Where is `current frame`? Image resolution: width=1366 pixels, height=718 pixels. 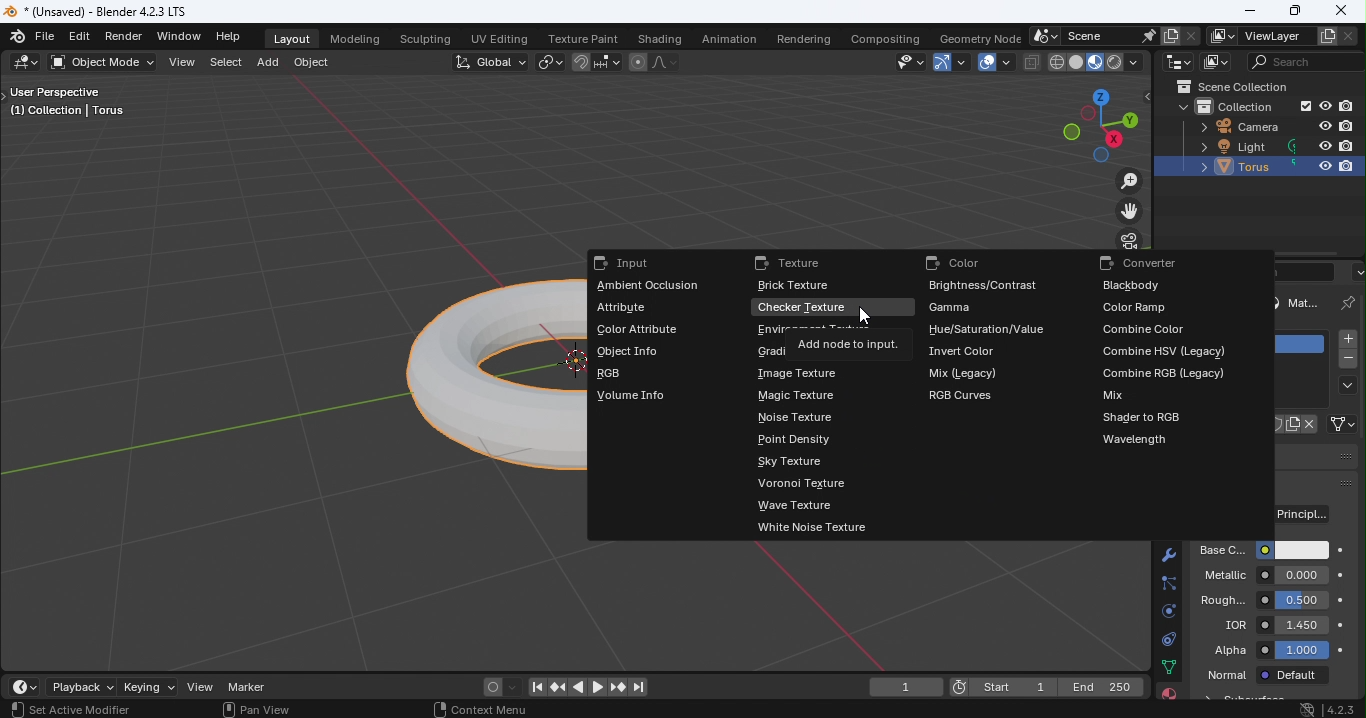 current frame is located at coordinates (906, 688).